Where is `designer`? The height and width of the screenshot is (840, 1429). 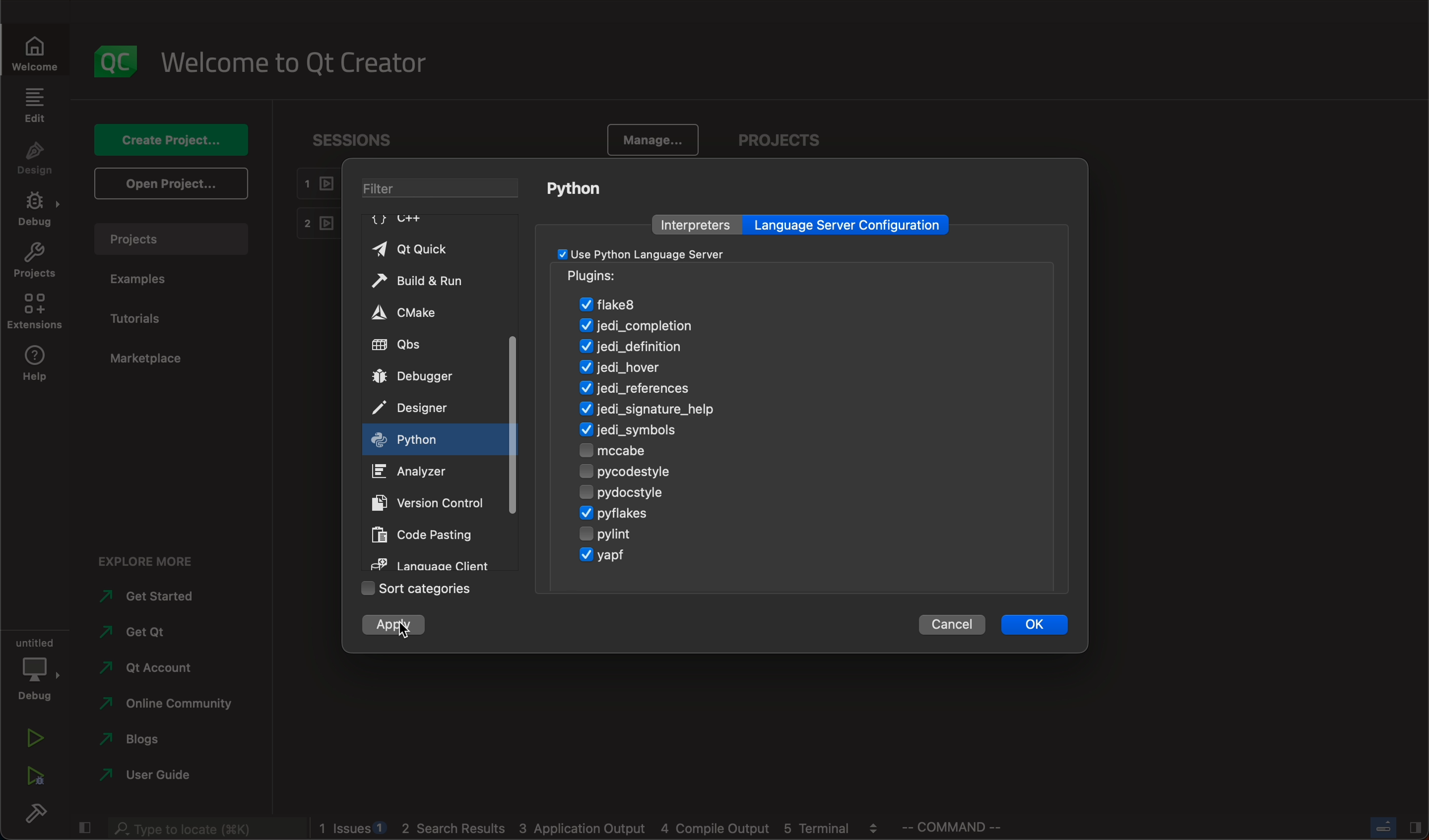
designer is located at coordinates (424, 405).